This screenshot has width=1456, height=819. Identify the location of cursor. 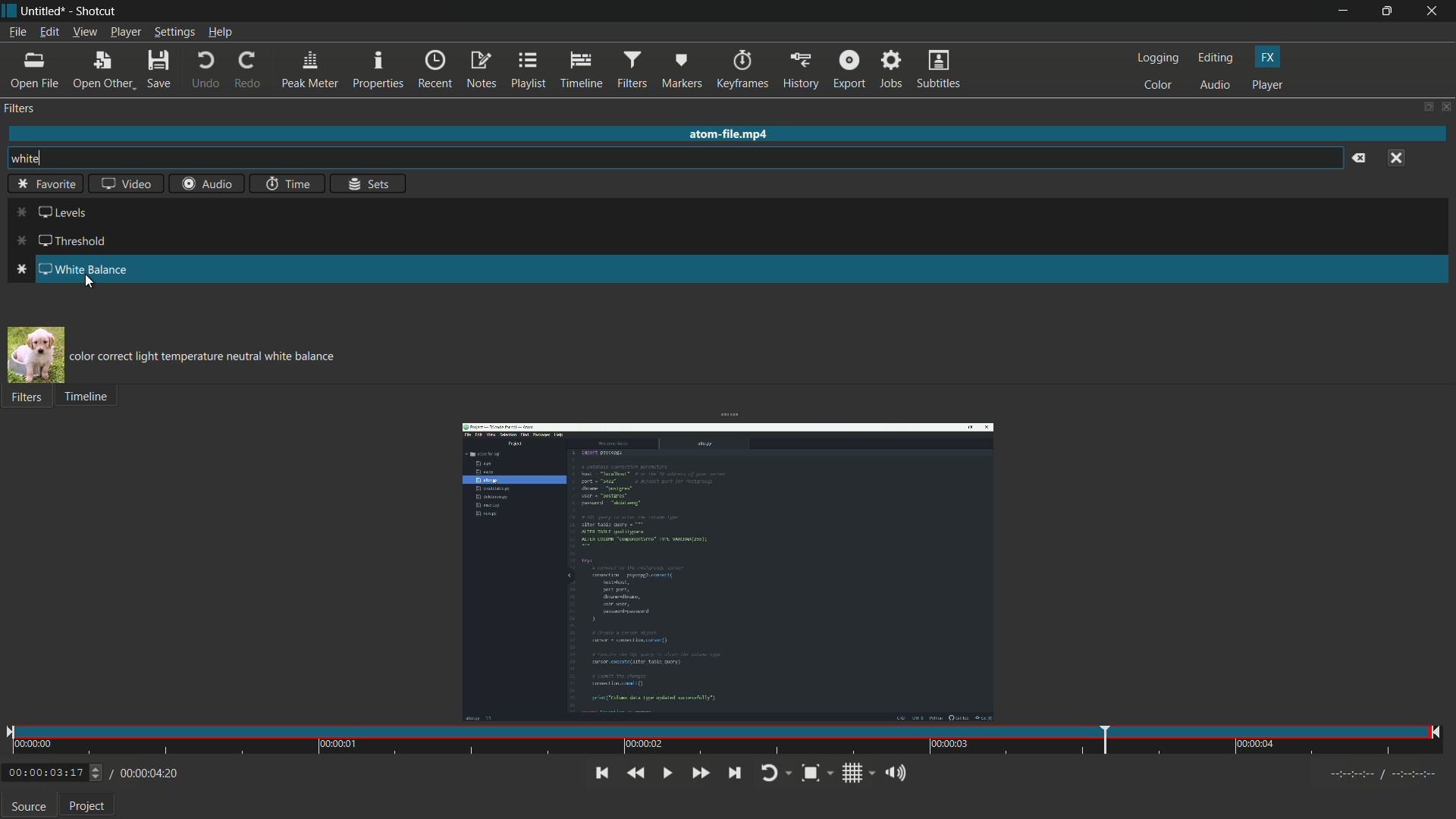
(88, 286).